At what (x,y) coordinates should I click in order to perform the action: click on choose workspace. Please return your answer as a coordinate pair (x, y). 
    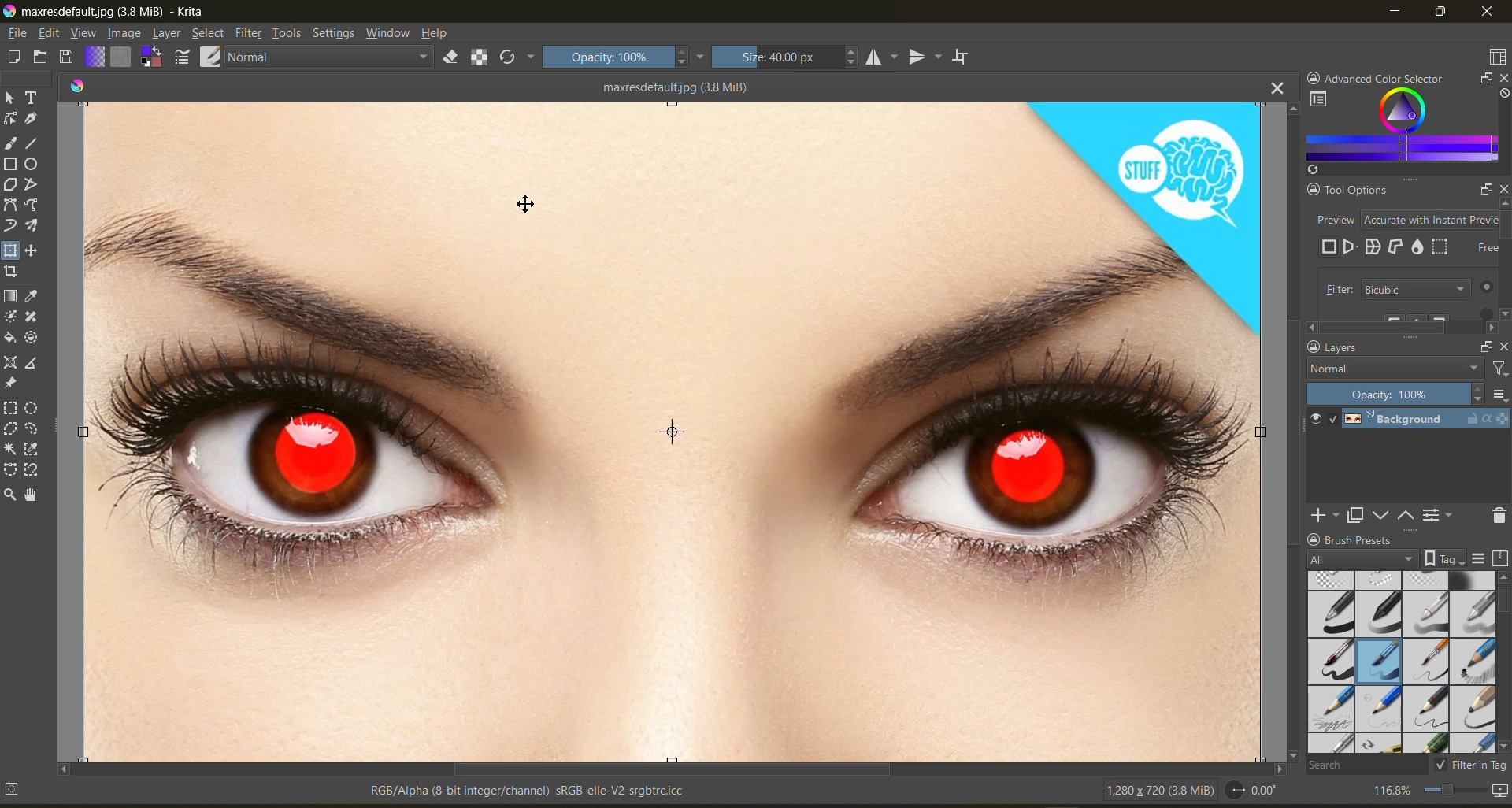
    Looking at the image, I should click on (1496, 57).